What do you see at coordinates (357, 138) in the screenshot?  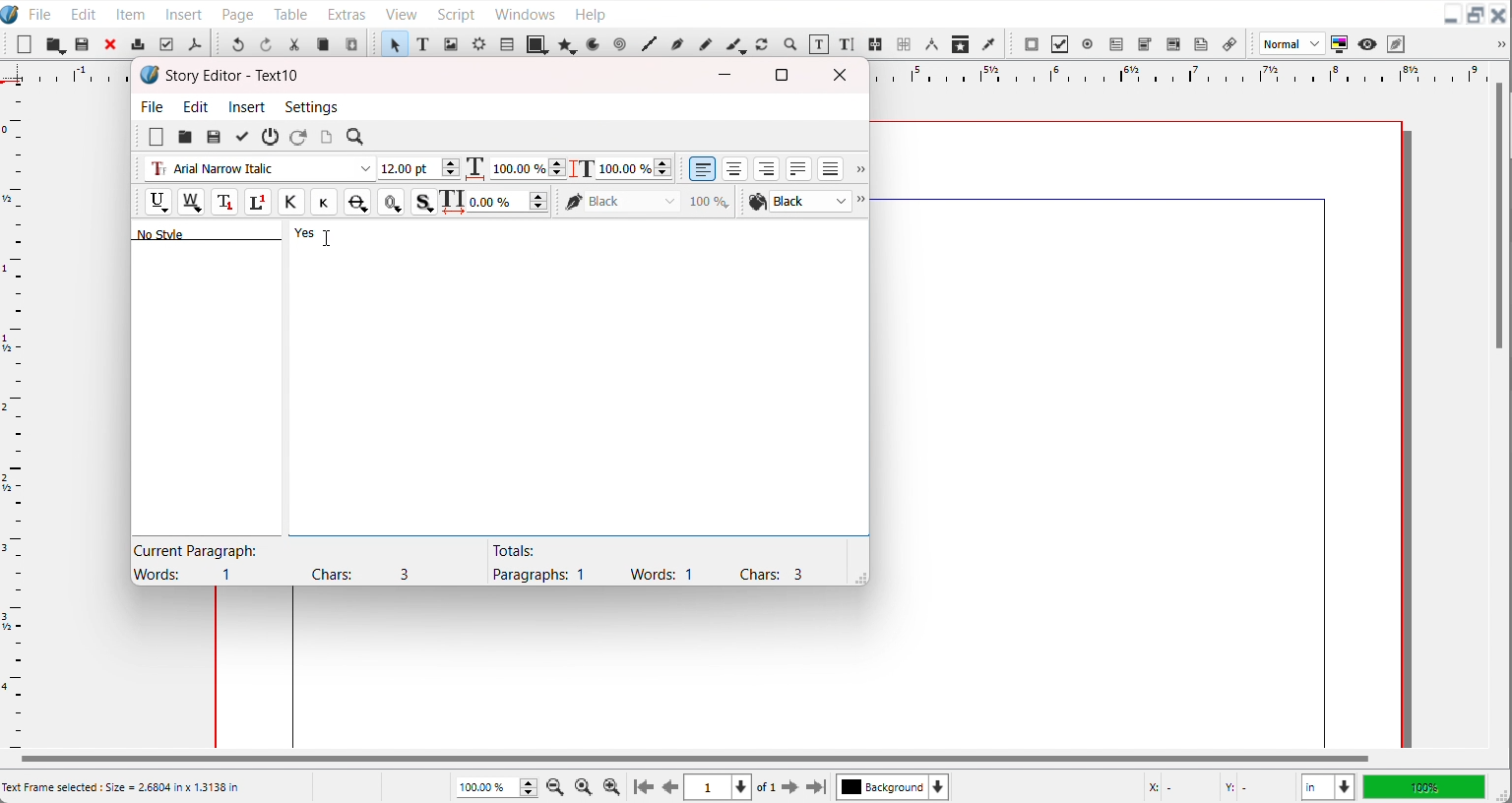 I see `Search/Replace` at bounding box center [357, 138].